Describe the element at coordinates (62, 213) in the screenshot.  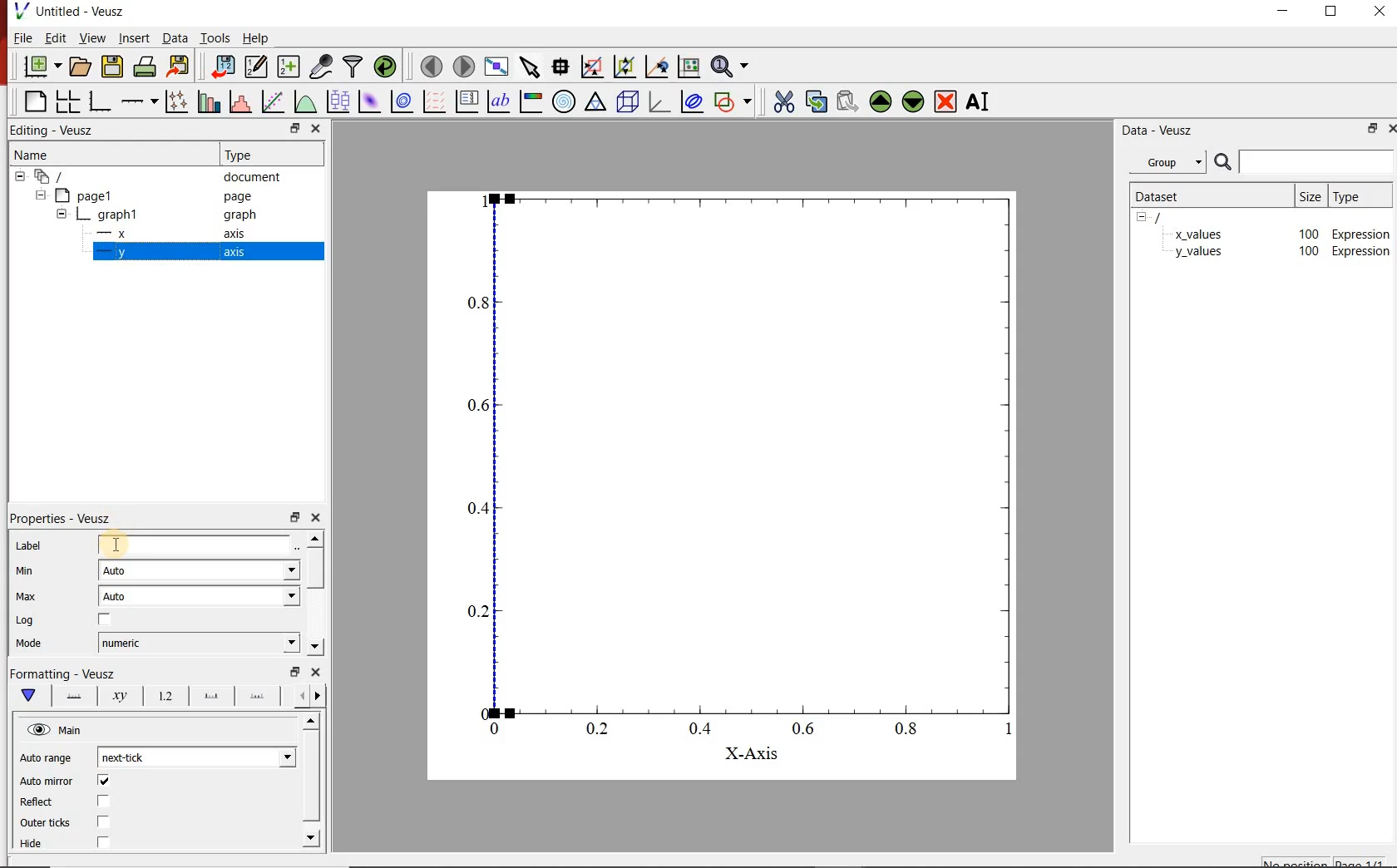
I see `hide` at that location.